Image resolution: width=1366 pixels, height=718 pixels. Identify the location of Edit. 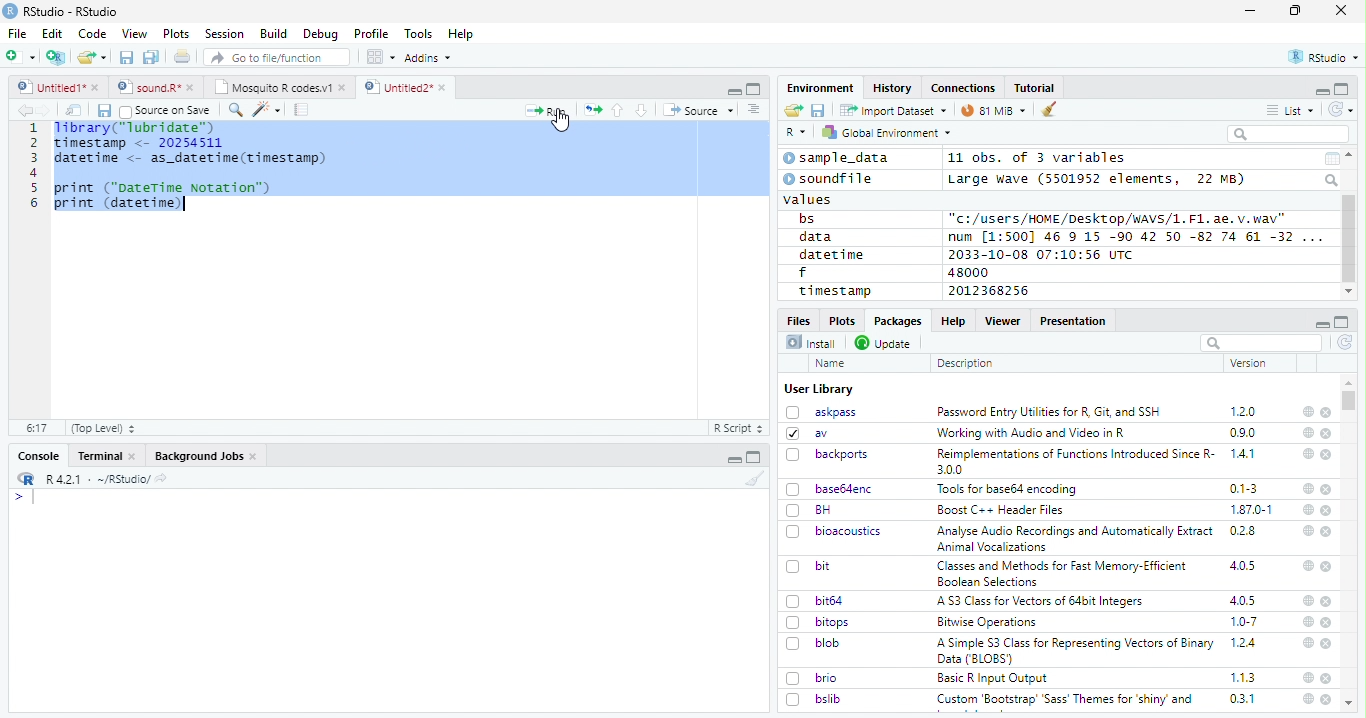
(52, 33).